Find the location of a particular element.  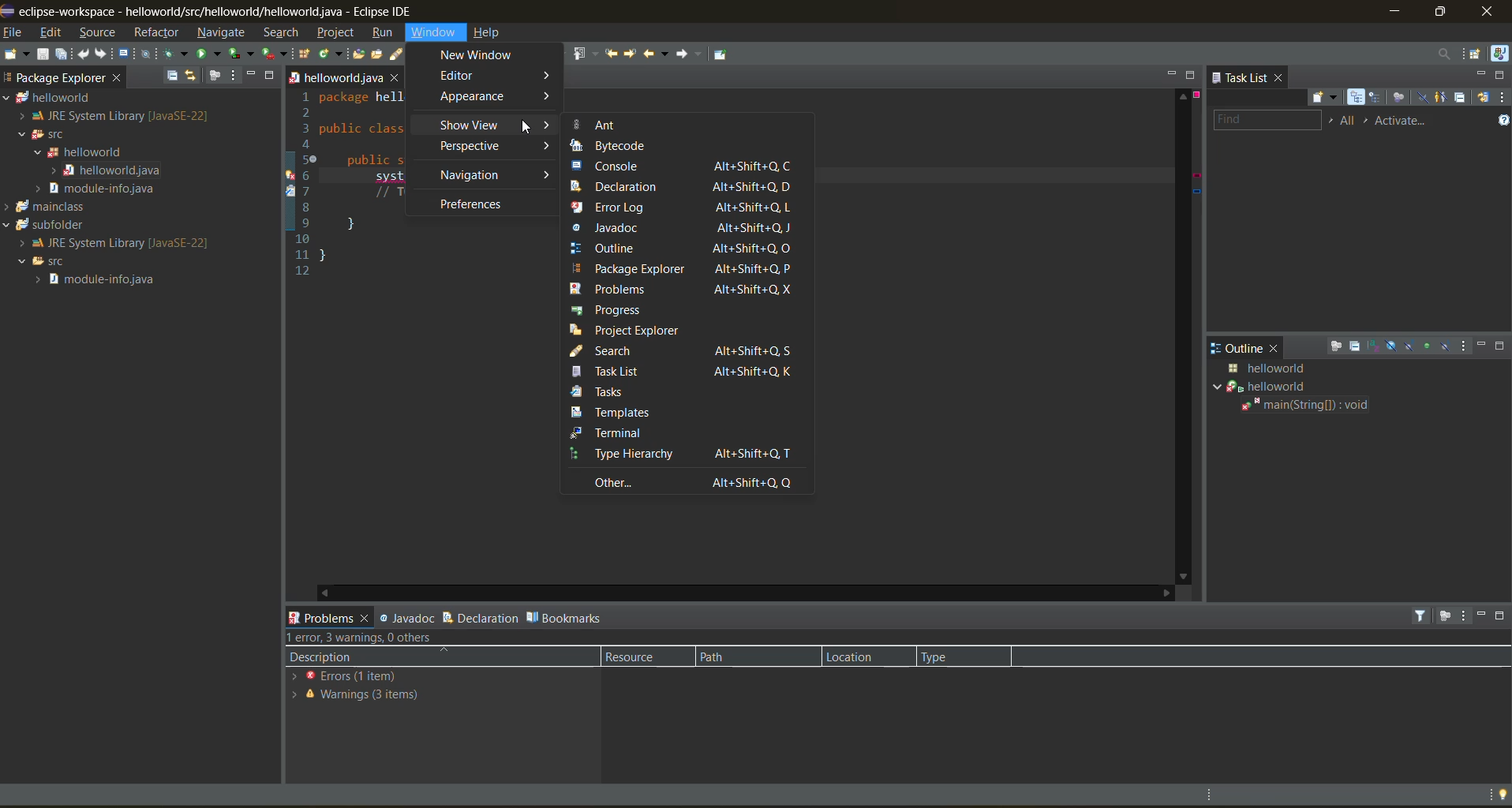

show tasks UI legend is located at coordinates (1503, 119).